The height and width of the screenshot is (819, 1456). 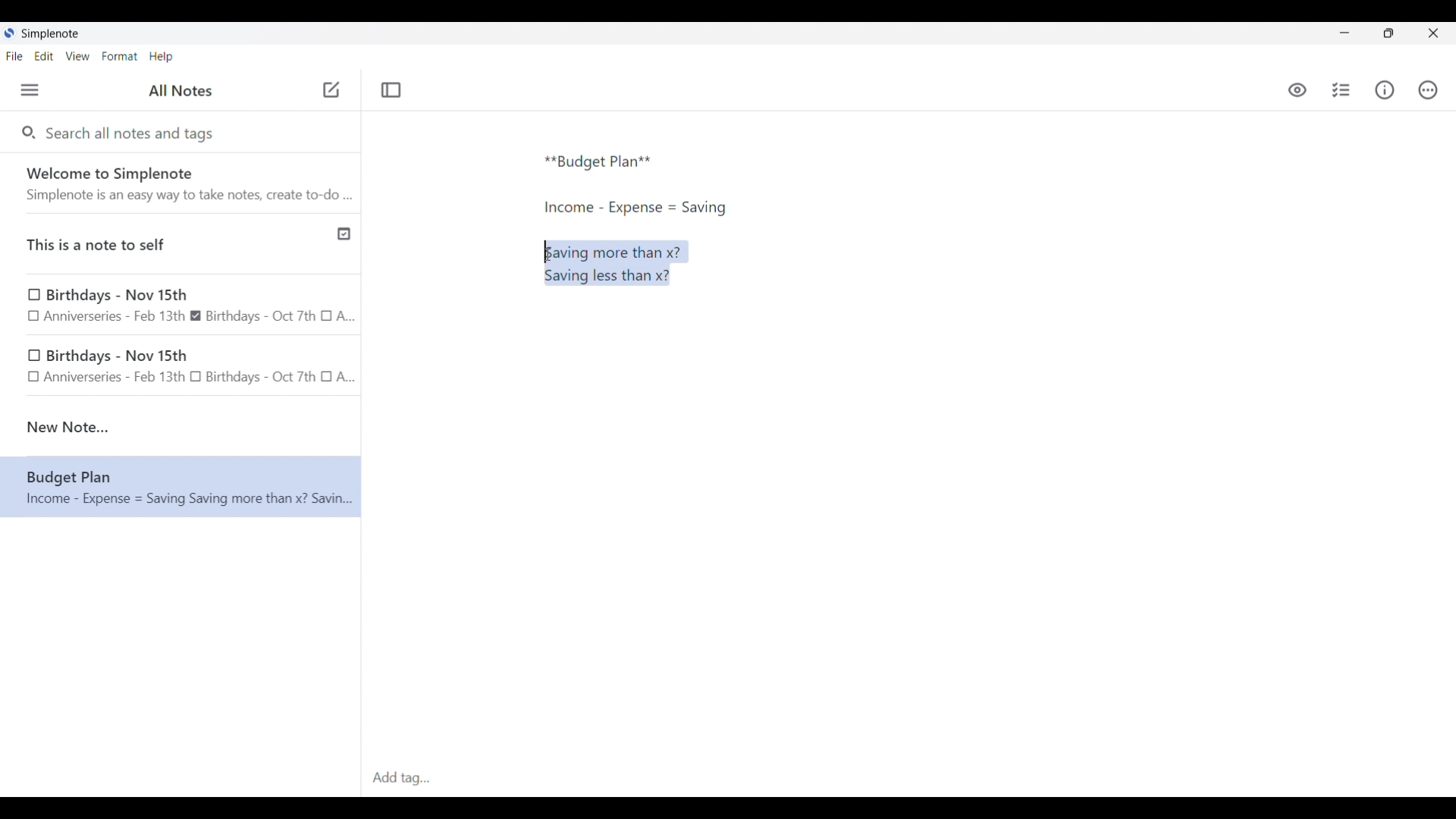 What do you see at coordinates (1389, 33) in the screenshot?
I see `Show interface in a smaller tab` at bounding box center [1389, 33].